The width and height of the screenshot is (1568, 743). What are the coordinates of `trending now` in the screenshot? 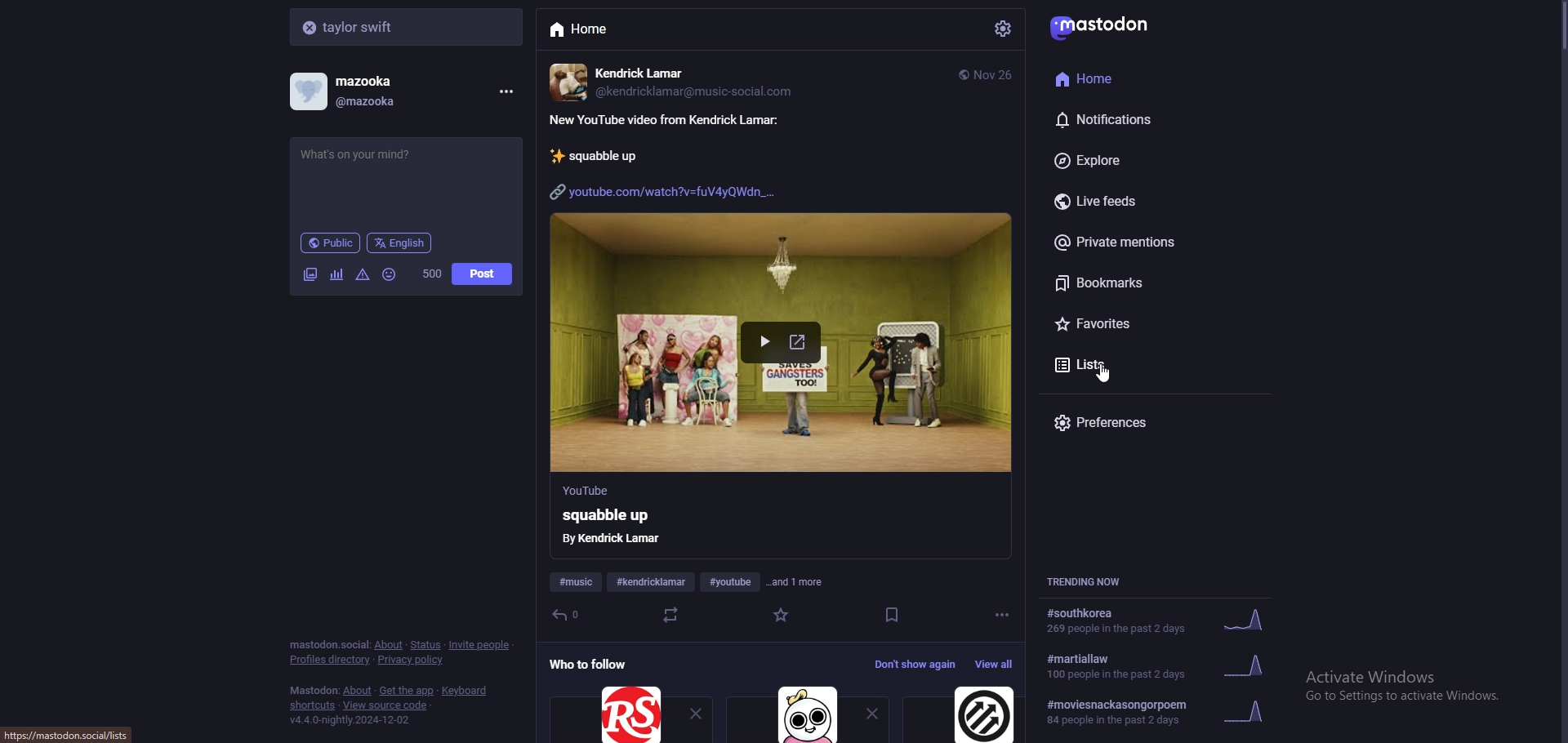 It's located at (1093, 581).